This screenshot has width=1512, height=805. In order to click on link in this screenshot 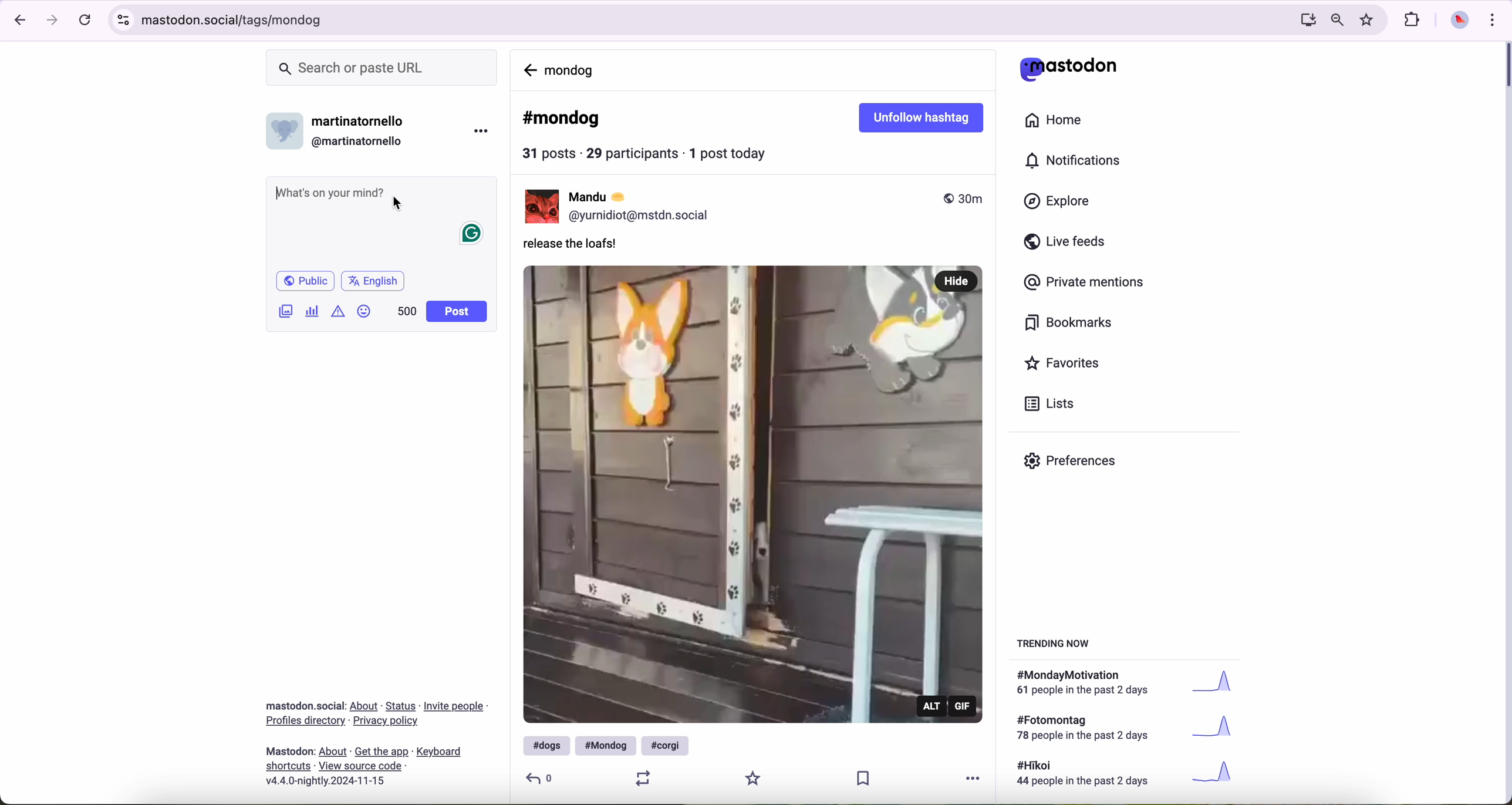, I will do `click(360, 765)`.